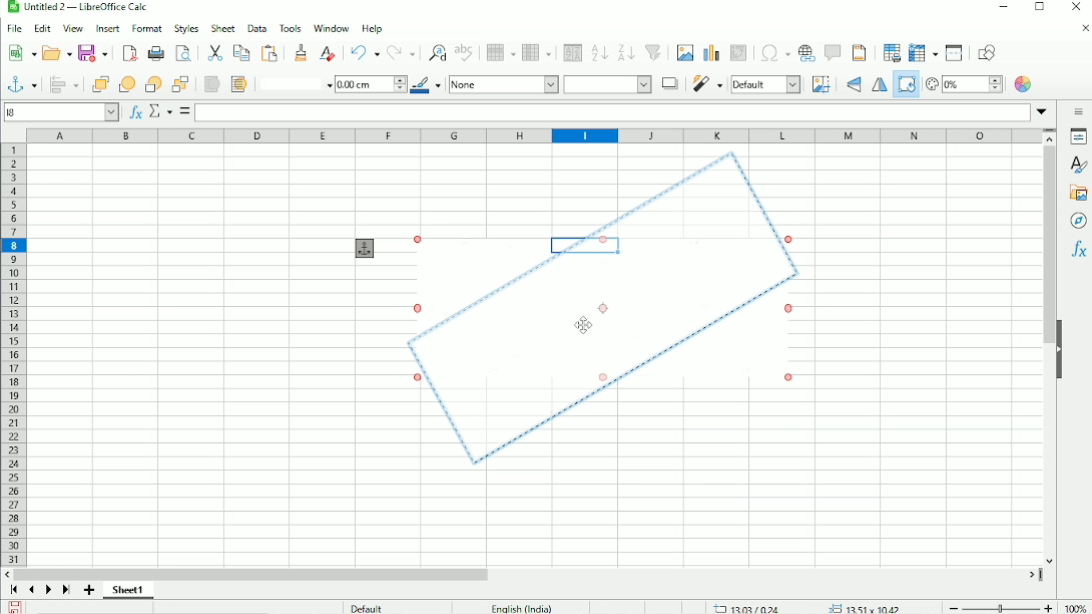  What do you see at coordinates (269, 52) in the screenshot?
I see `Paste` at bounding box center [269, 52].